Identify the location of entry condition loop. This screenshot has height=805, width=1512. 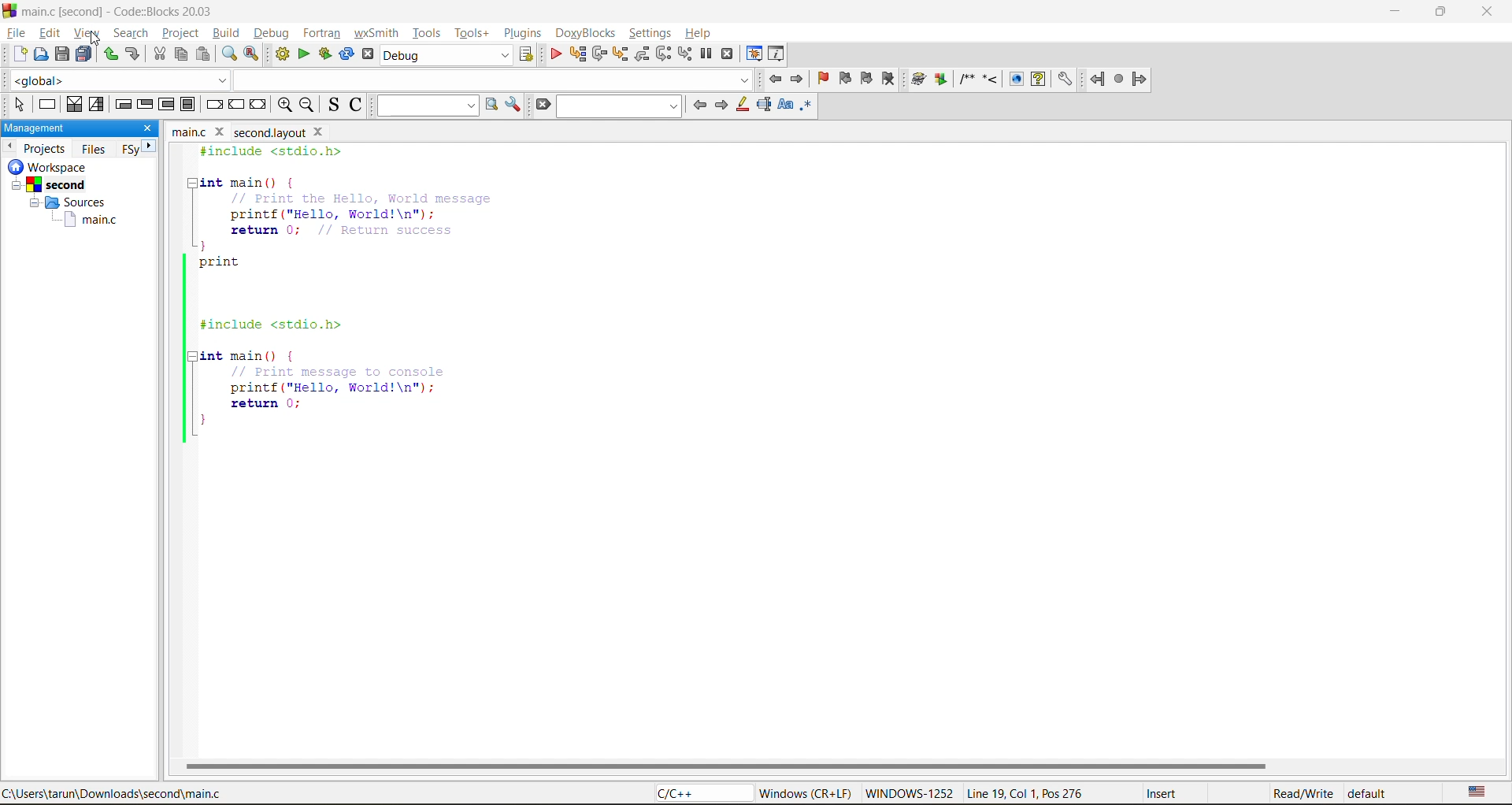
(120, 105).